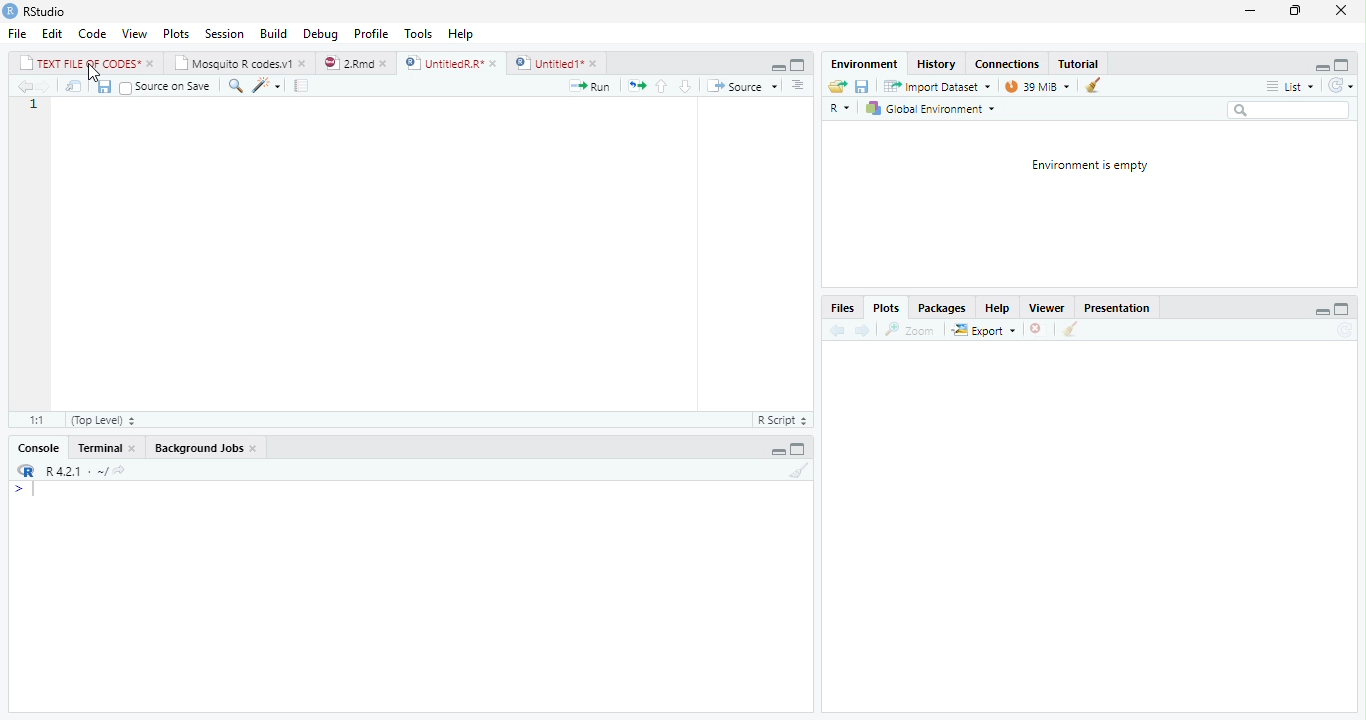 The height and width of the screenshot is (720, 1366). I want to click on Environment is empty, so click(1091, 165).